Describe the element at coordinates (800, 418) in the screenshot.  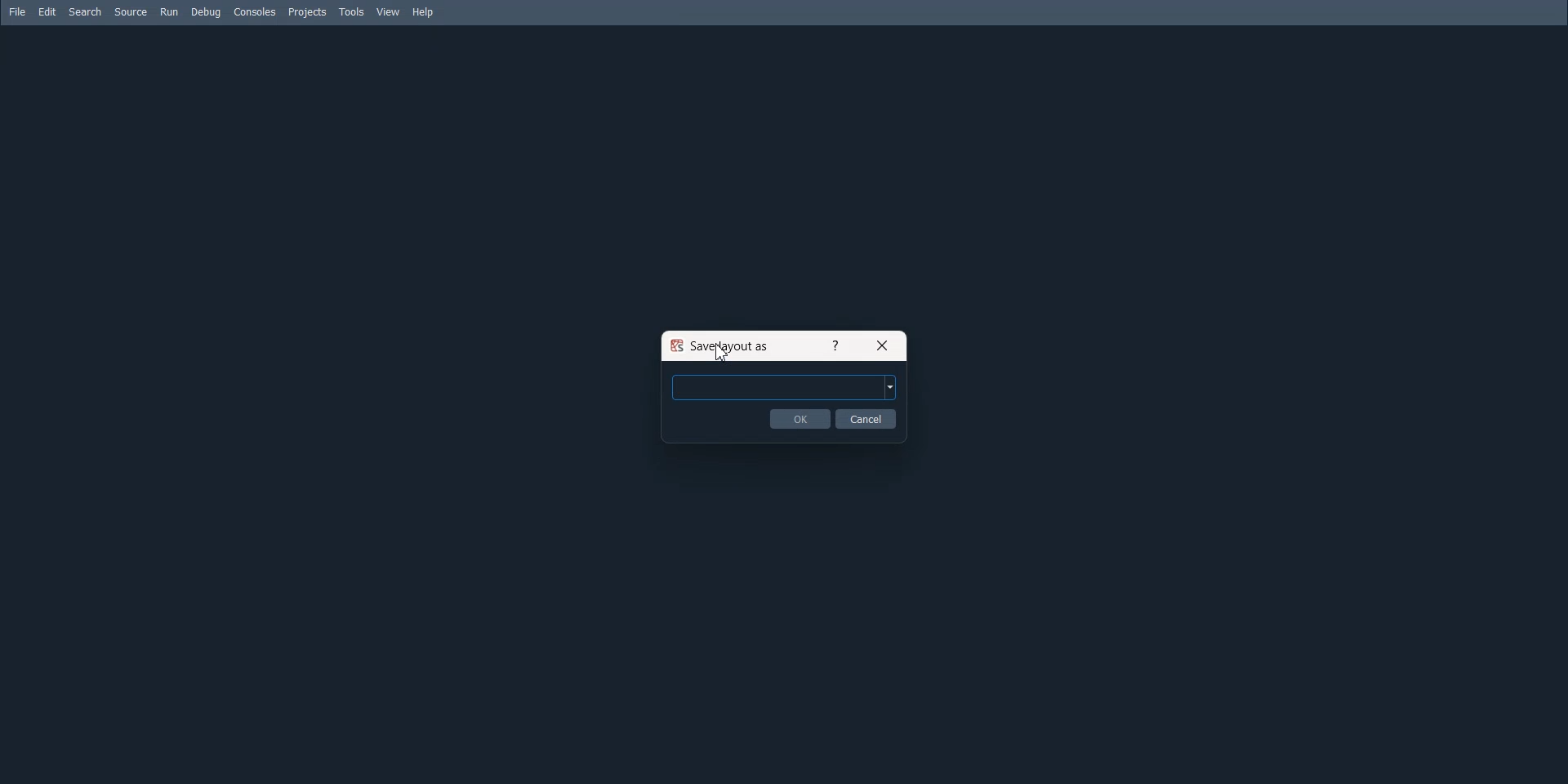
I see `OK` at that location.